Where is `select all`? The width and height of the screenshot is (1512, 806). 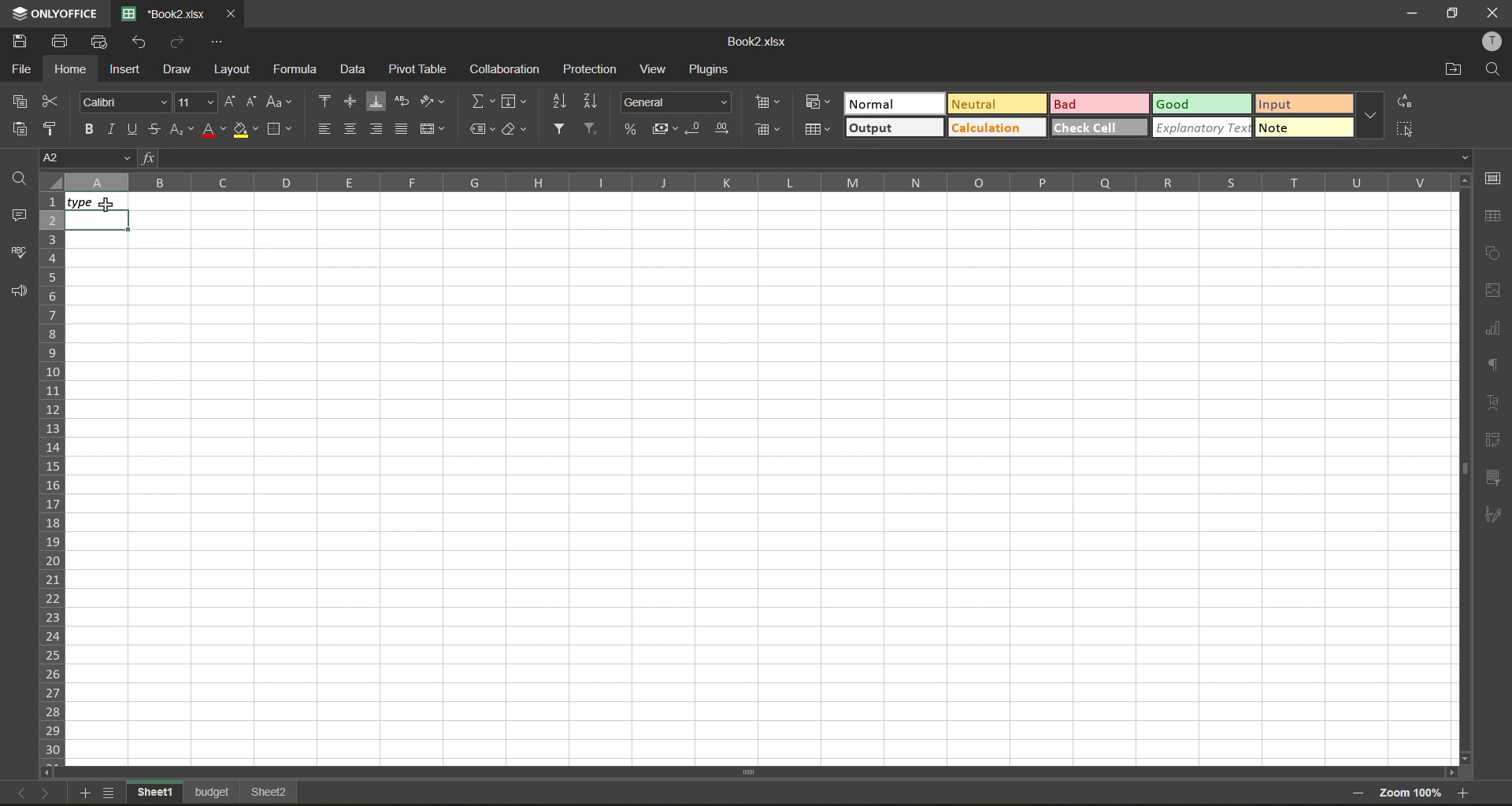
select all is located at coordinates (1404, 130).